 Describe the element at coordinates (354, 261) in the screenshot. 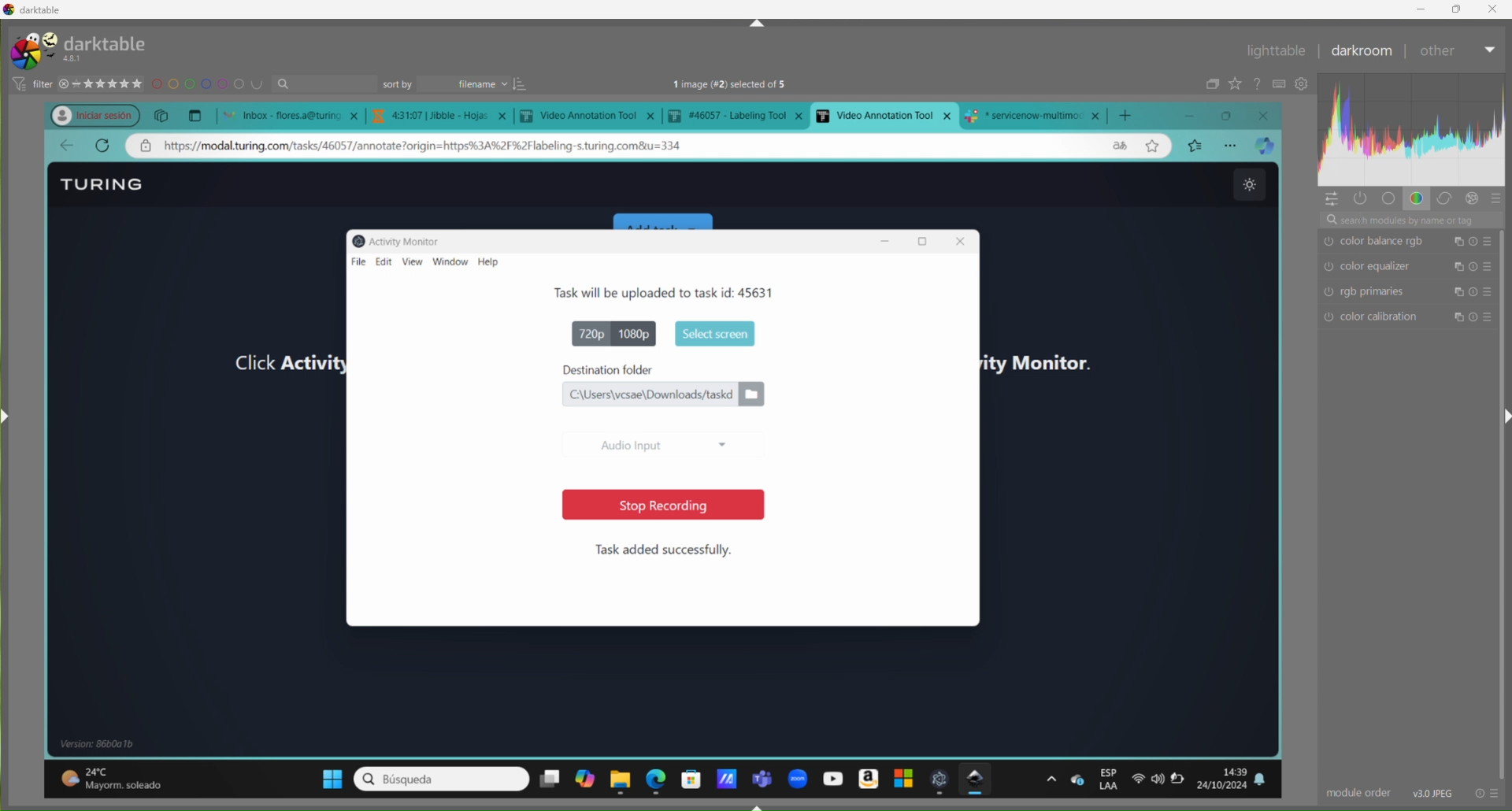

I see `file` at that location.